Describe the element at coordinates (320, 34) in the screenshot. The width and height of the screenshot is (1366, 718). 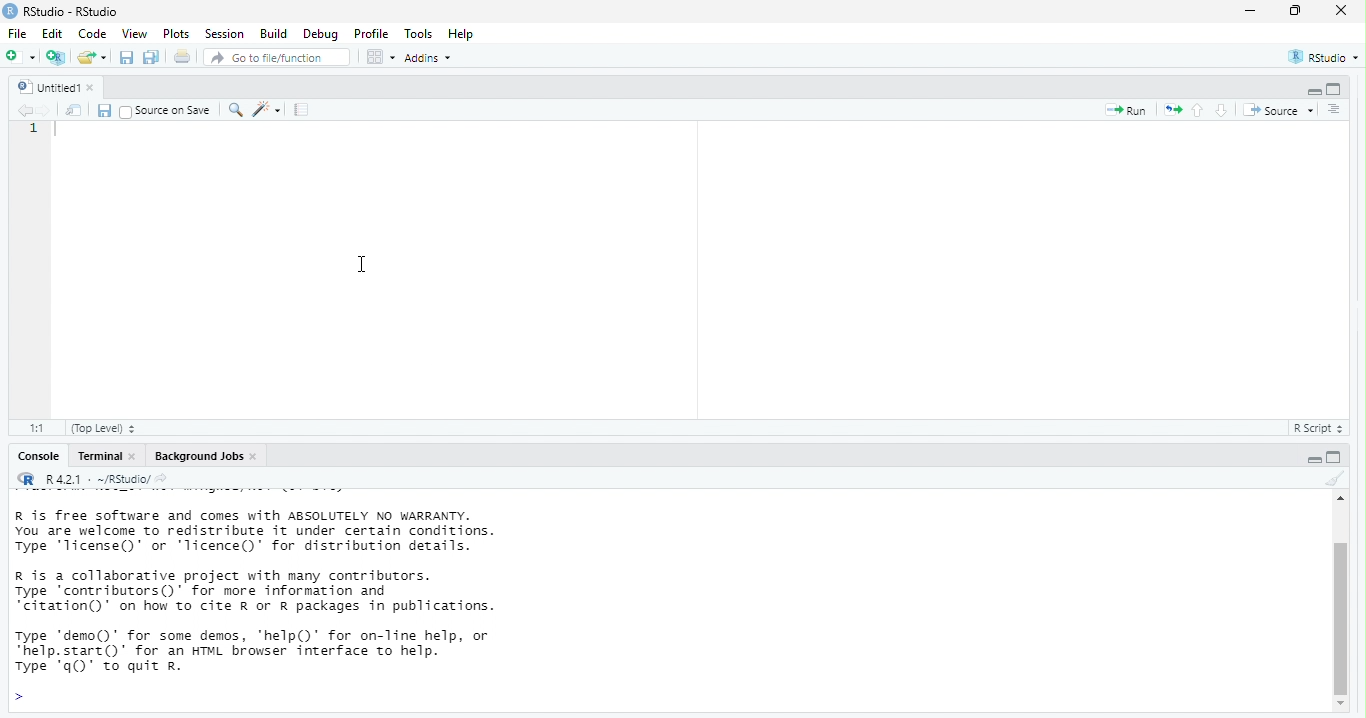
I see `debug` at that location.